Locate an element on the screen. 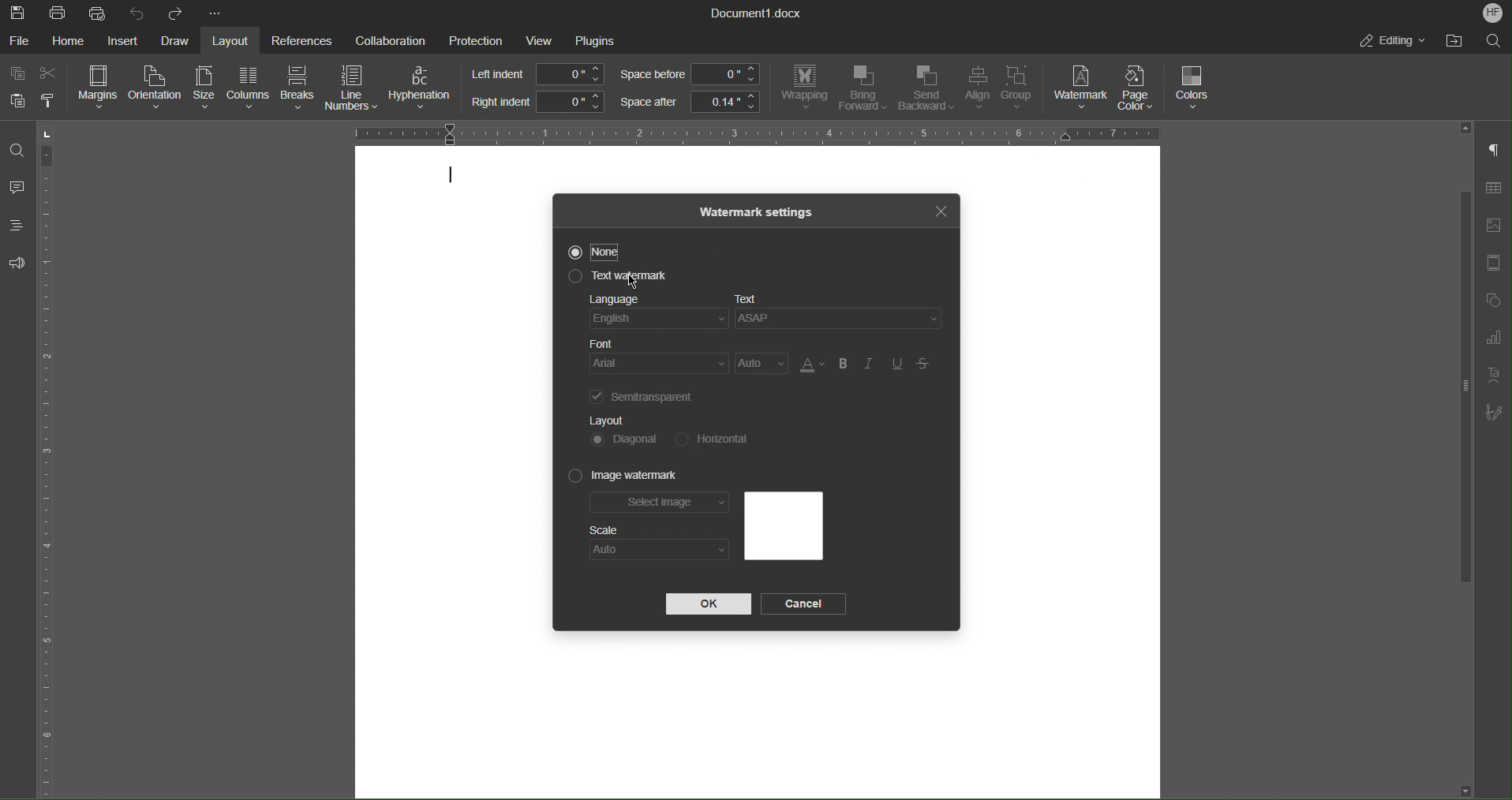 The height and width of the screenshot is (800, 1512). None is located at coordinates (593, 252).